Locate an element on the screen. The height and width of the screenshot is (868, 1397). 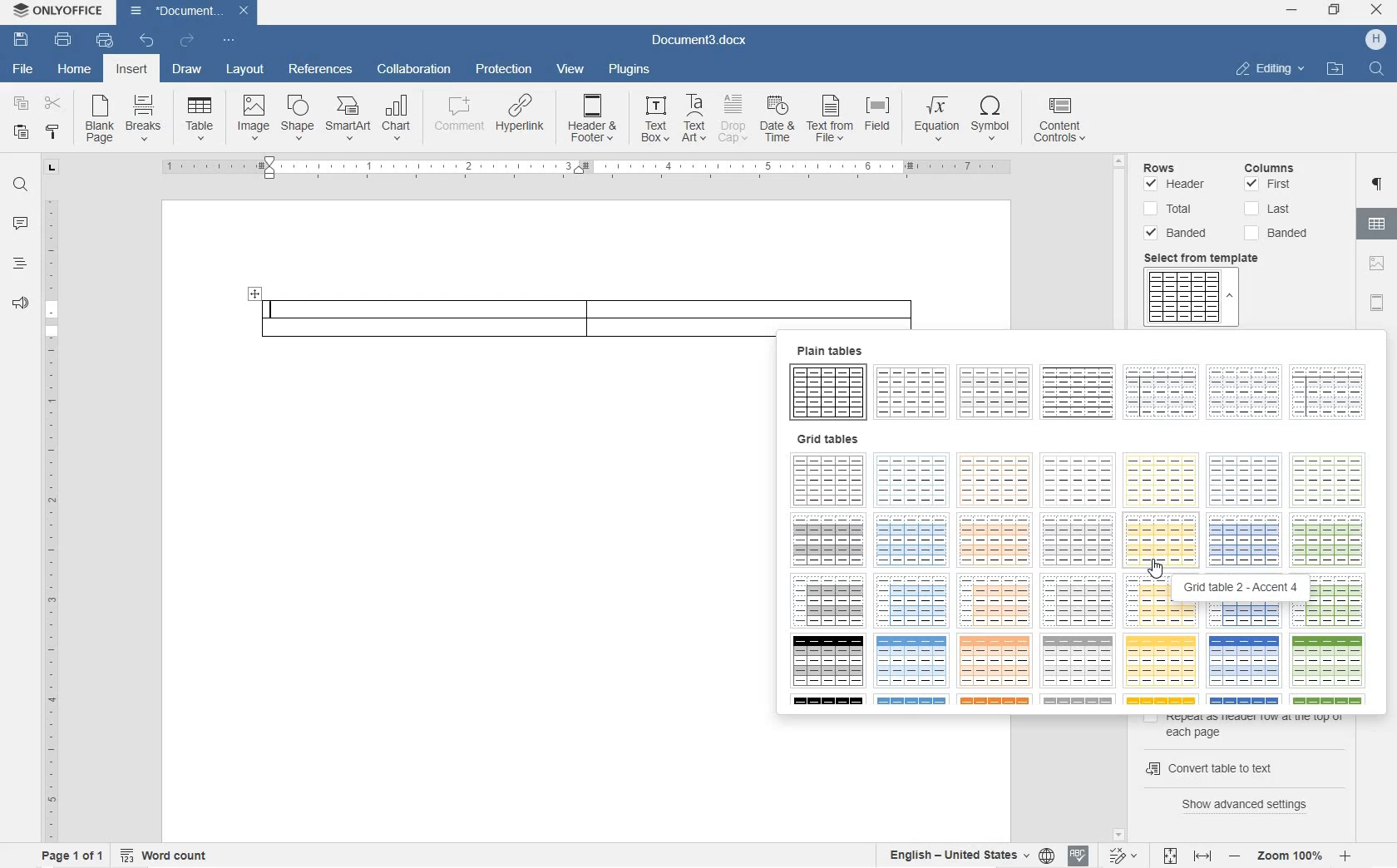
SPELL CHECKING is located at coordinates (1077, 856).